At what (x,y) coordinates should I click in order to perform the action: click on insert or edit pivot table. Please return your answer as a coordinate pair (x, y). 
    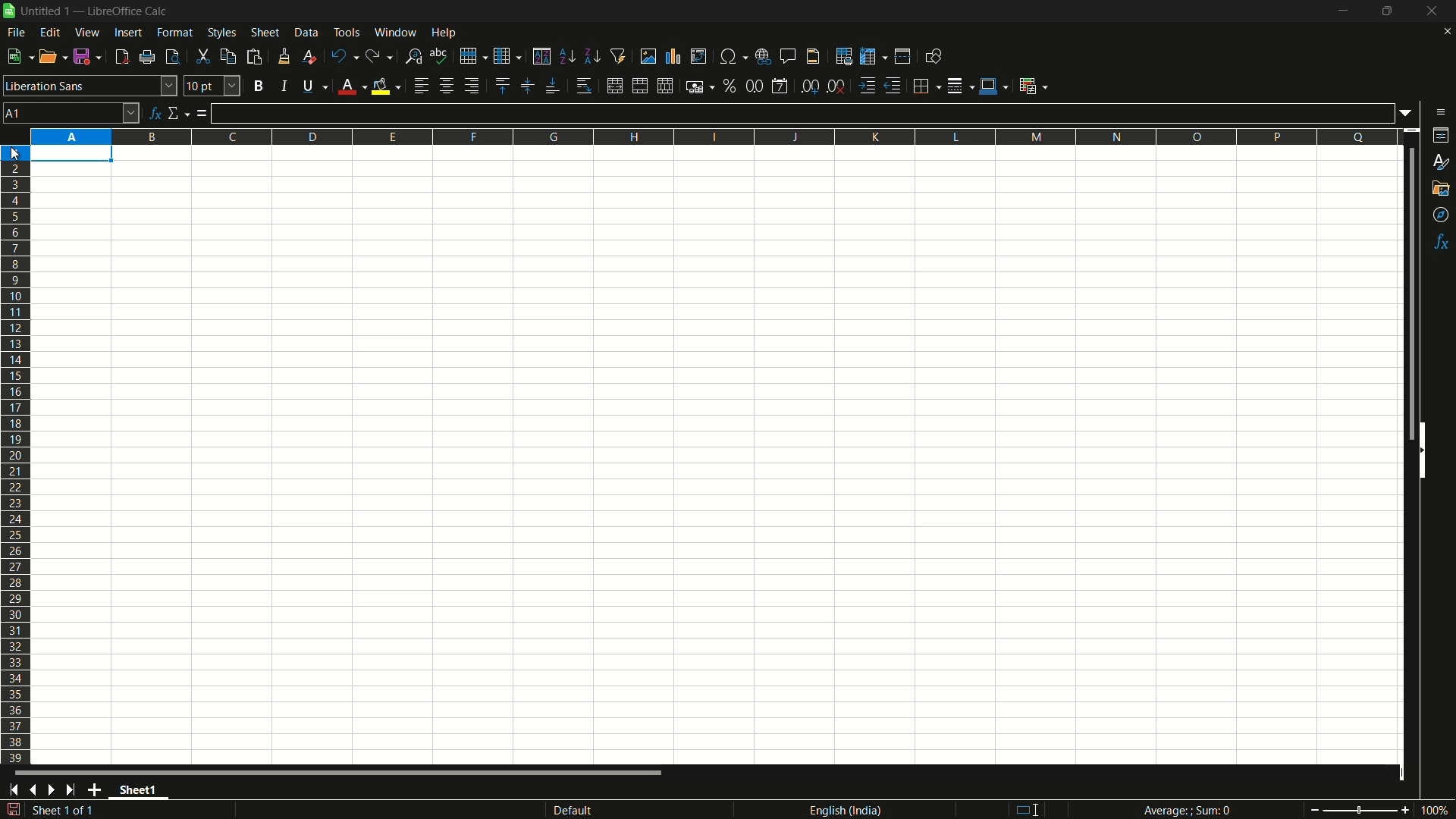
    Looking at the image, I should click on (698, 56).